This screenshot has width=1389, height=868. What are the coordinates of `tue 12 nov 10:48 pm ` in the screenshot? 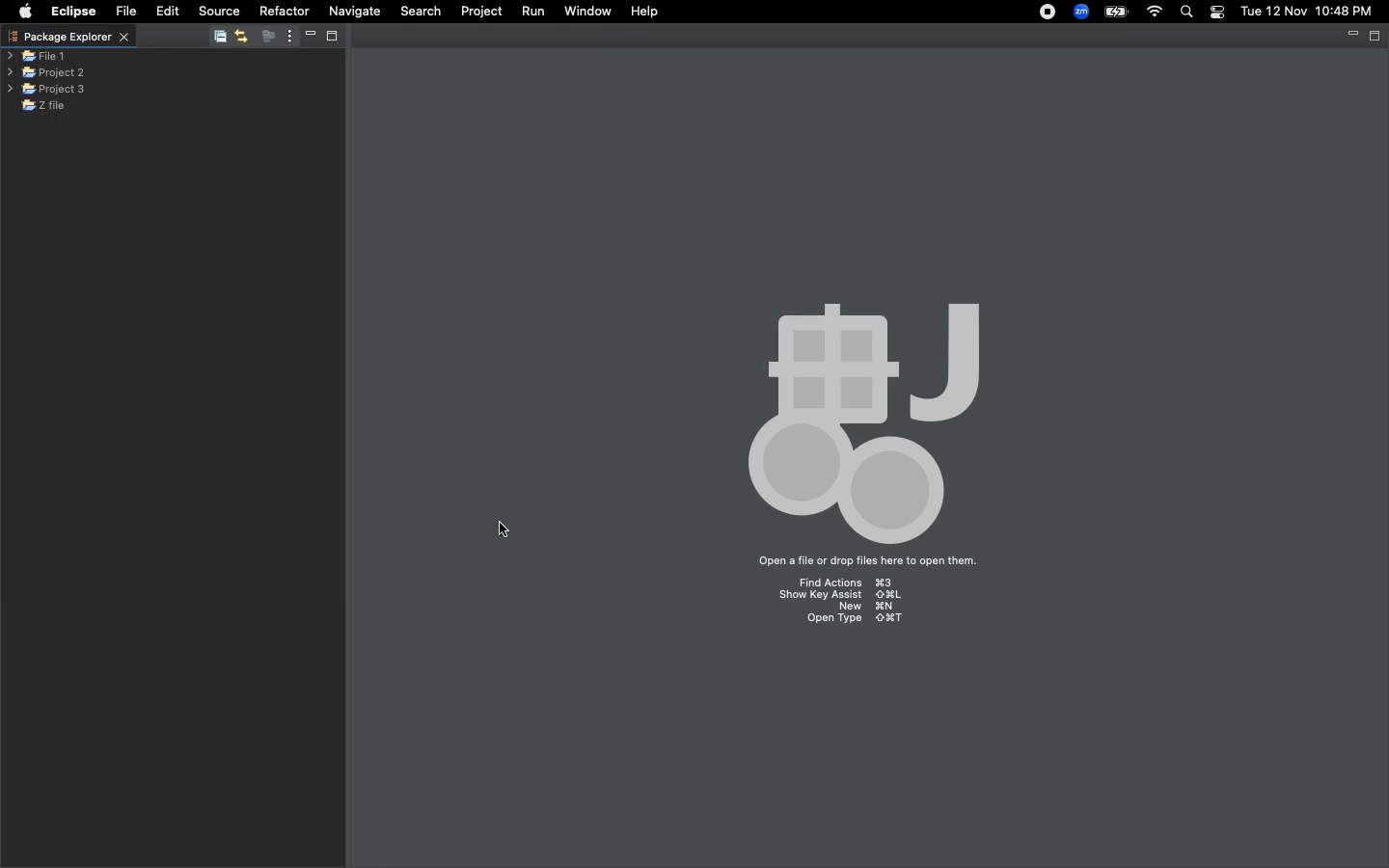 It's located at (1305, 10).